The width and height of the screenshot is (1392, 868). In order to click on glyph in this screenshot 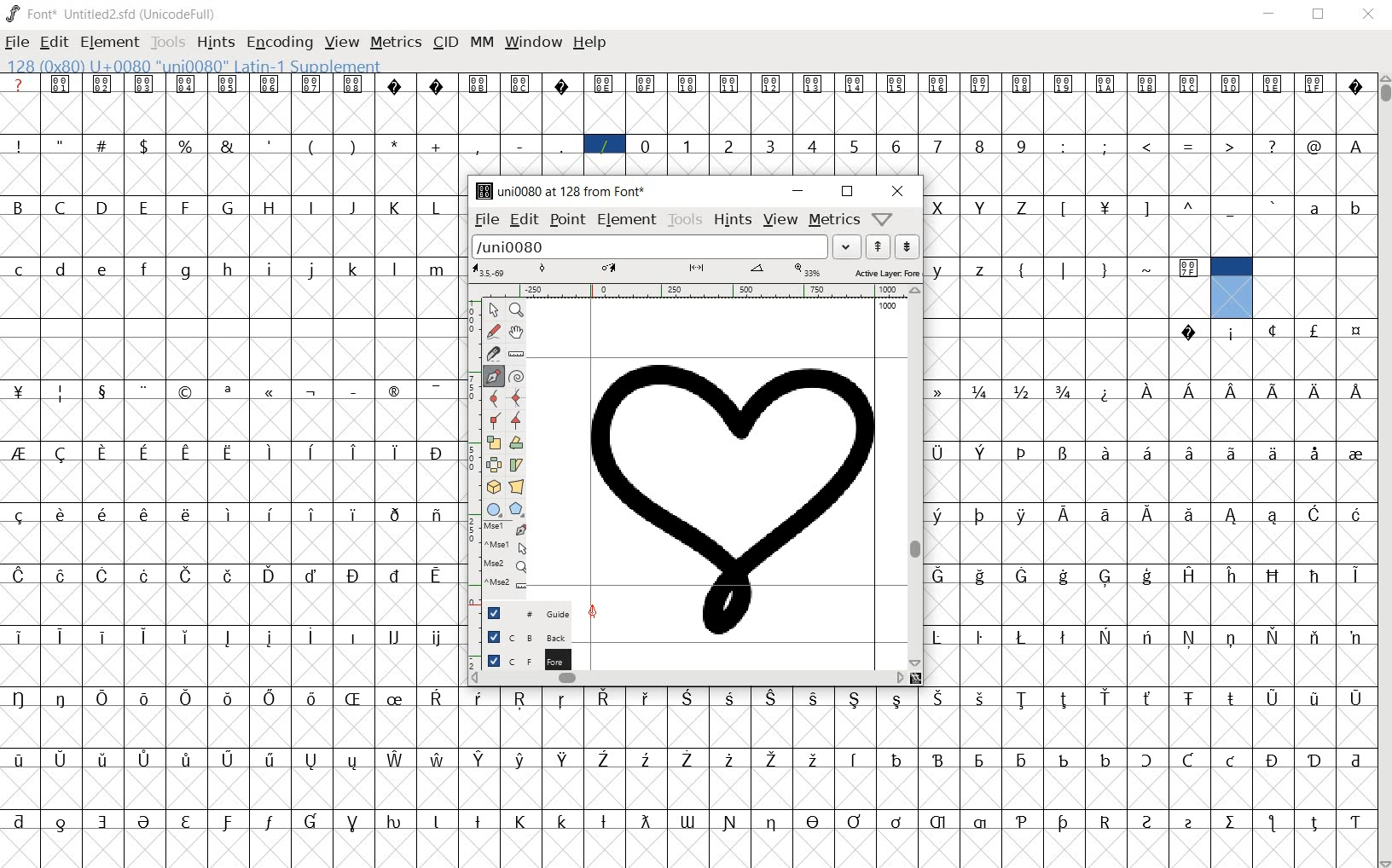, I will do `click(937, 637)`.